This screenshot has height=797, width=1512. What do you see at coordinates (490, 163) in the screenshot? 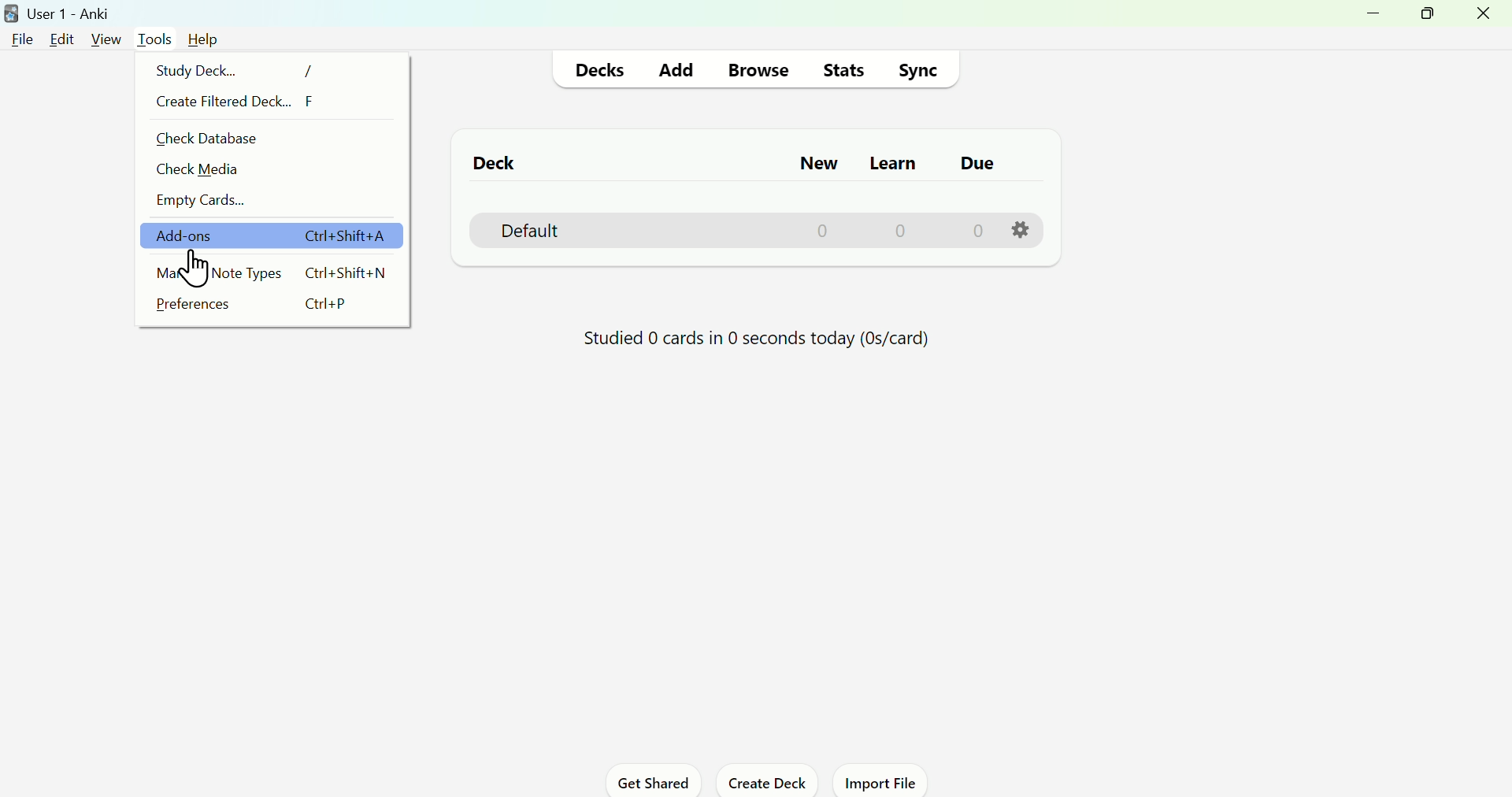
I see `Deck` at bounding box center [490, 163].